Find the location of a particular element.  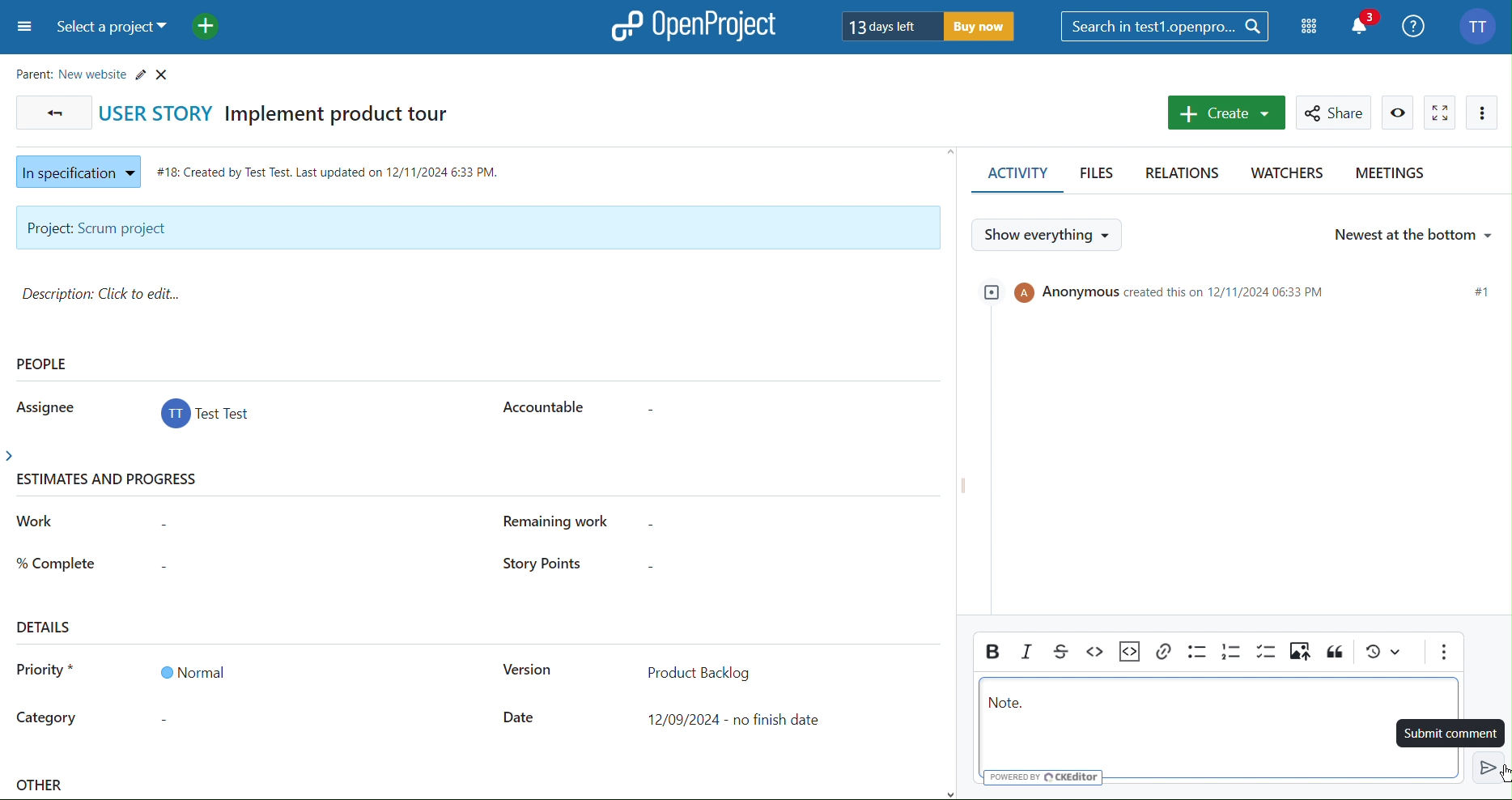

OpenProject is located at coordinates (695, 25).